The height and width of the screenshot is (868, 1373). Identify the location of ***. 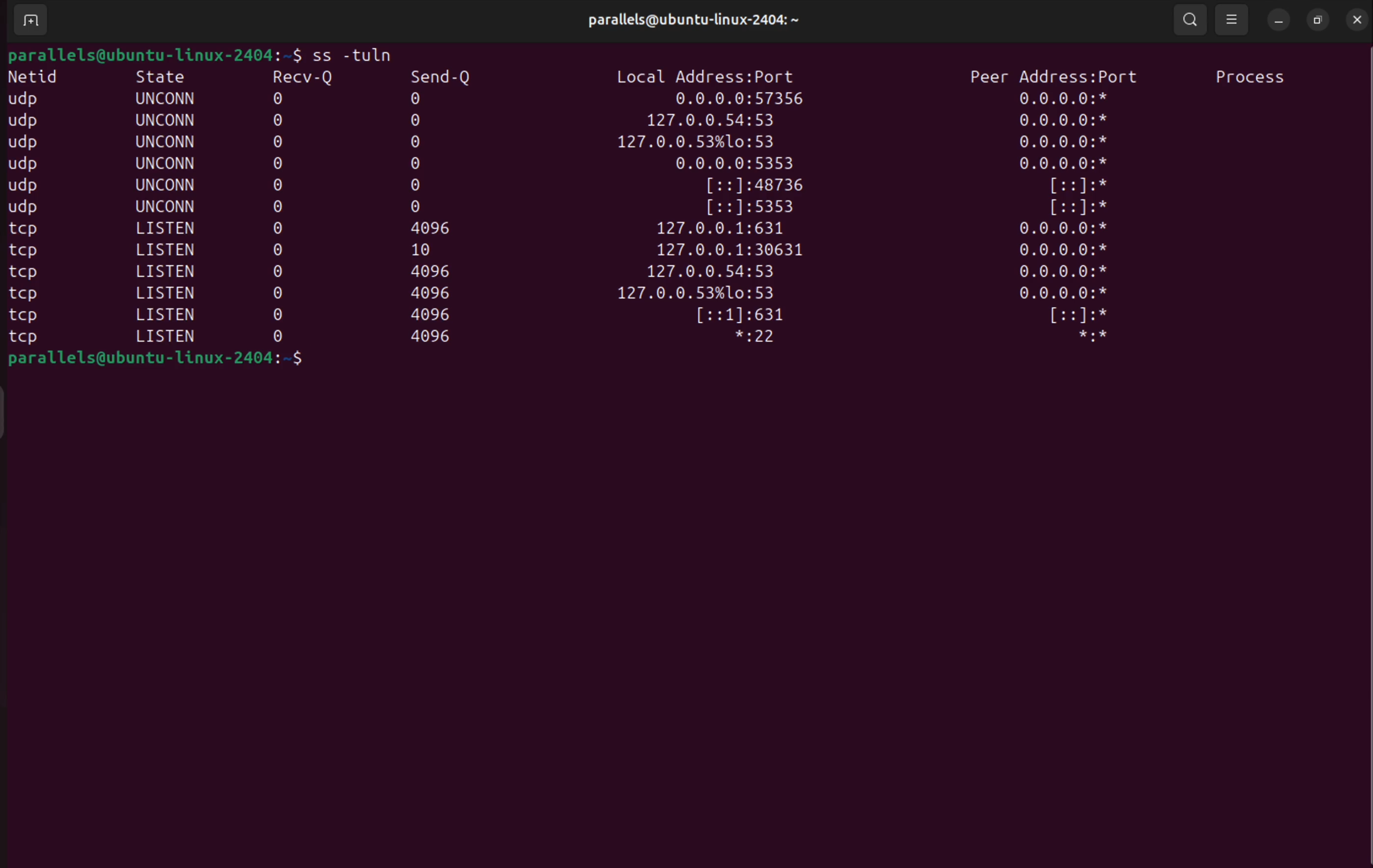
(1078, 337).